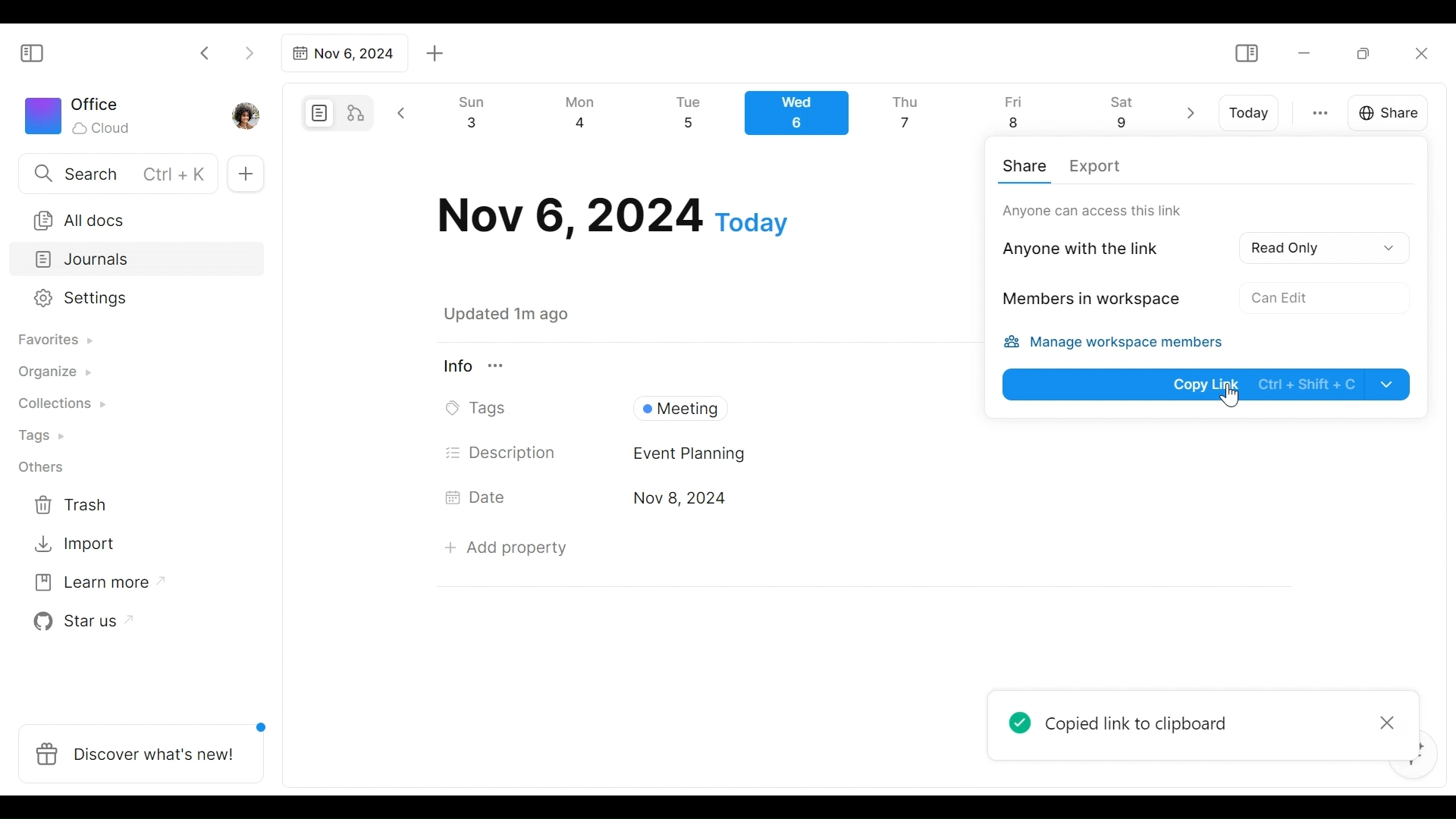 This screenshot has height=819, width=1456. I want to click on Discover what's new, so click(147, 745).